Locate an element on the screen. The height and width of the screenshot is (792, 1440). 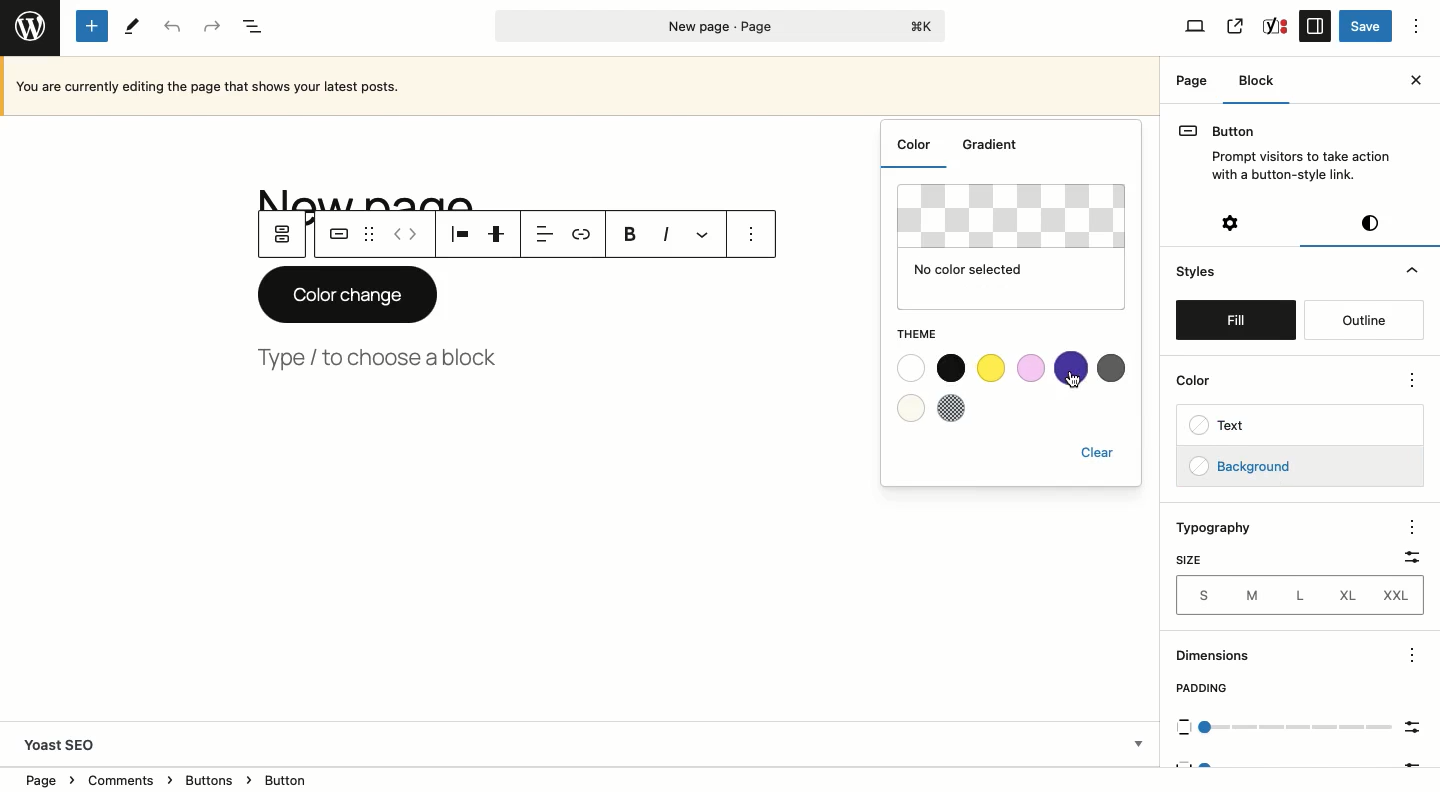
Bold is located at coordinates (630, 234).